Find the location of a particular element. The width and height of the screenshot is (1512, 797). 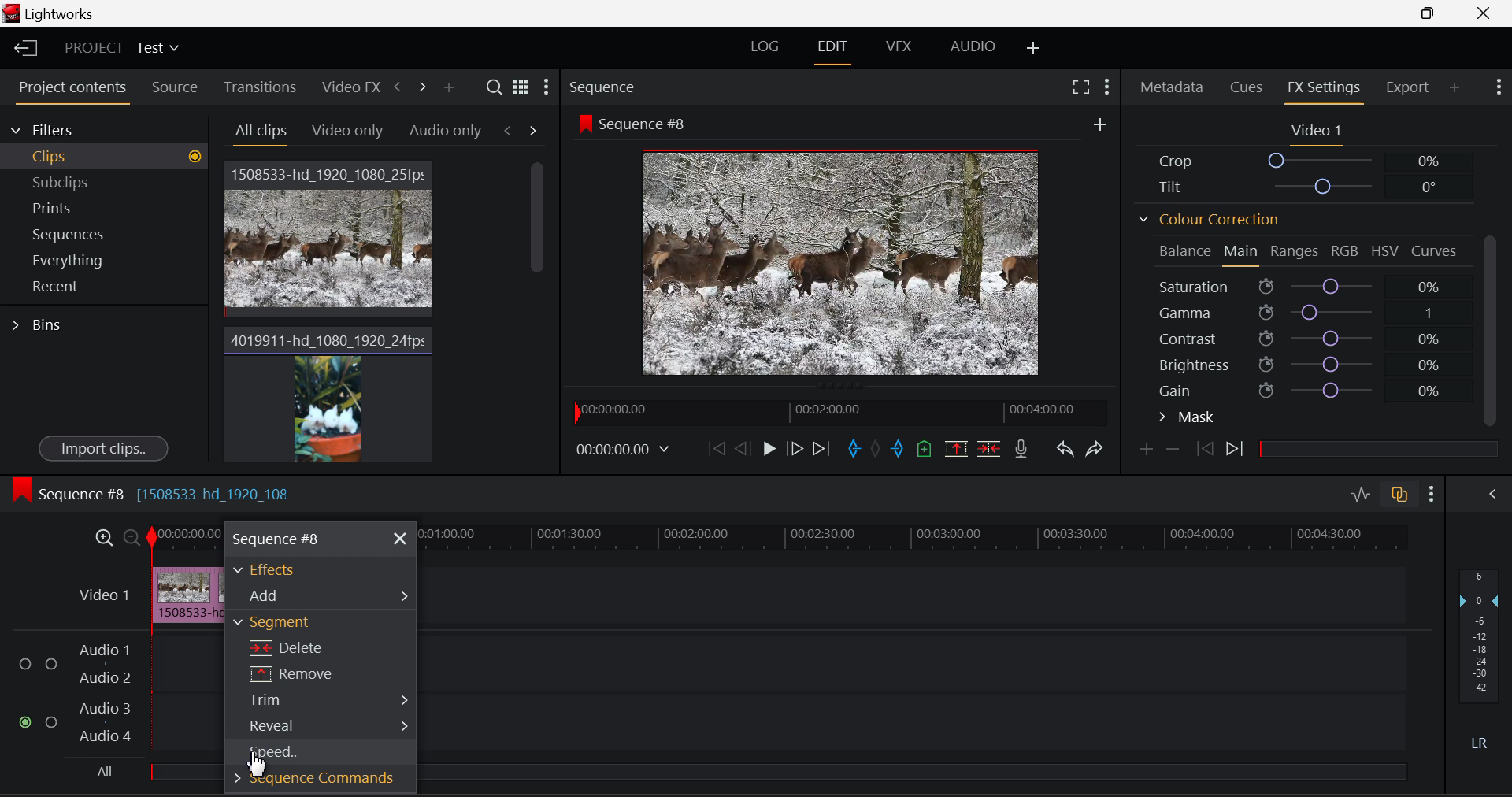

Cursor is located at coordinates (256, 766).